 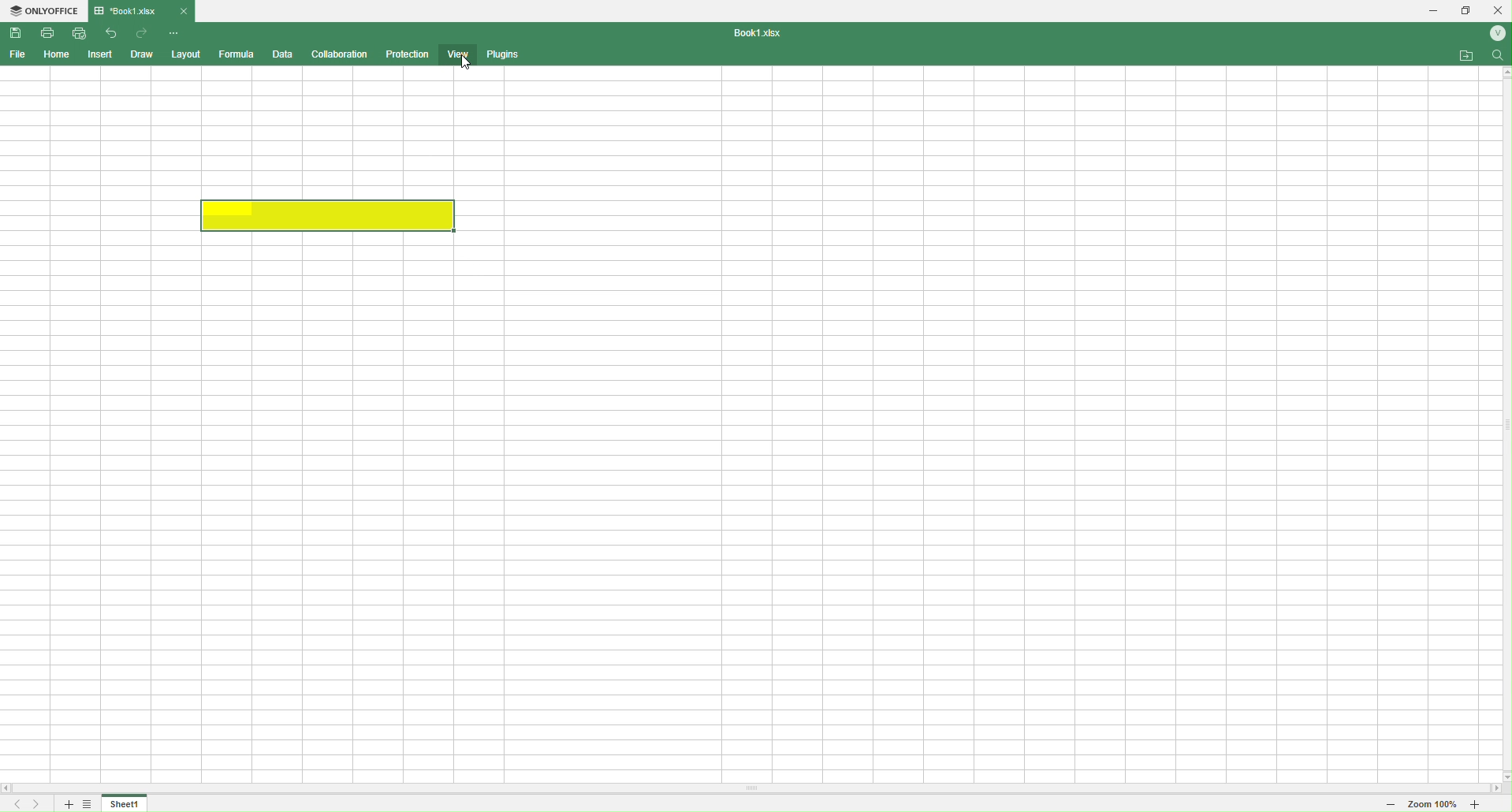 I want to click on Plugins, so click(x=505, y=54).